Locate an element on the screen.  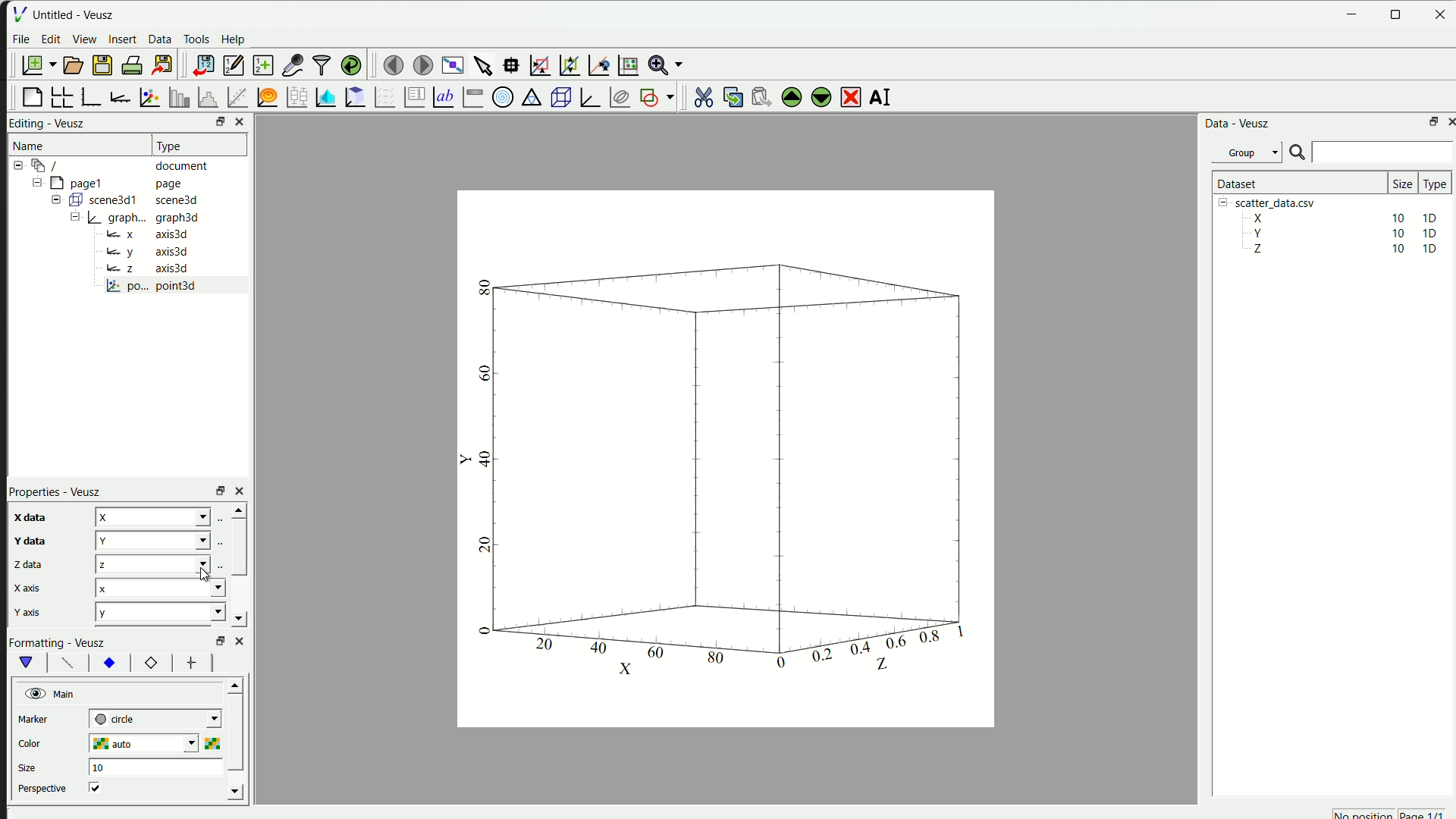
| Type is located at coordinates (171, 145).